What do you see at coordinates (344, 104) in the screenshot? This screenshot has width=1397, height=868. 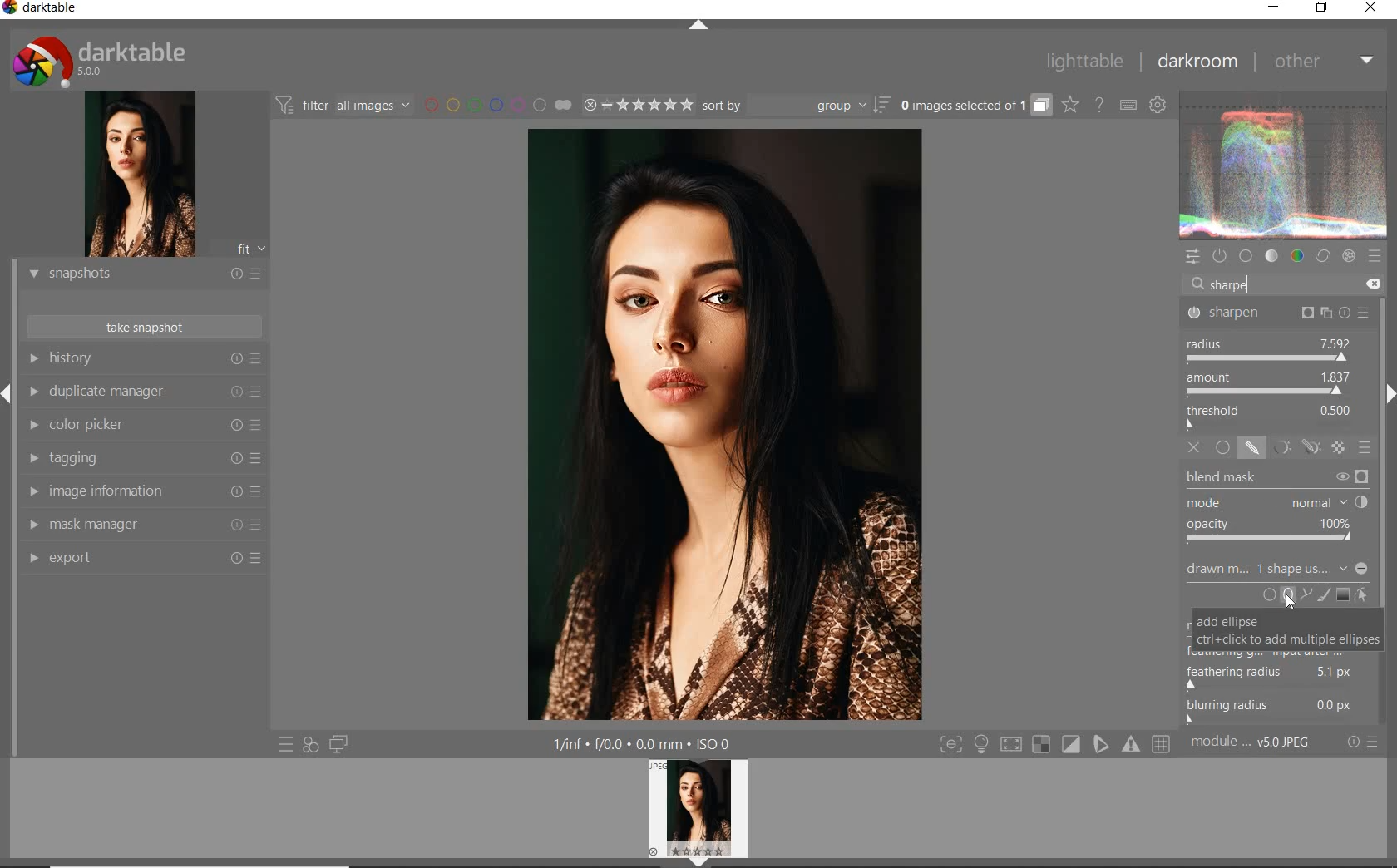 I see `filter images based on their modules` at bounding box center [344, 104].